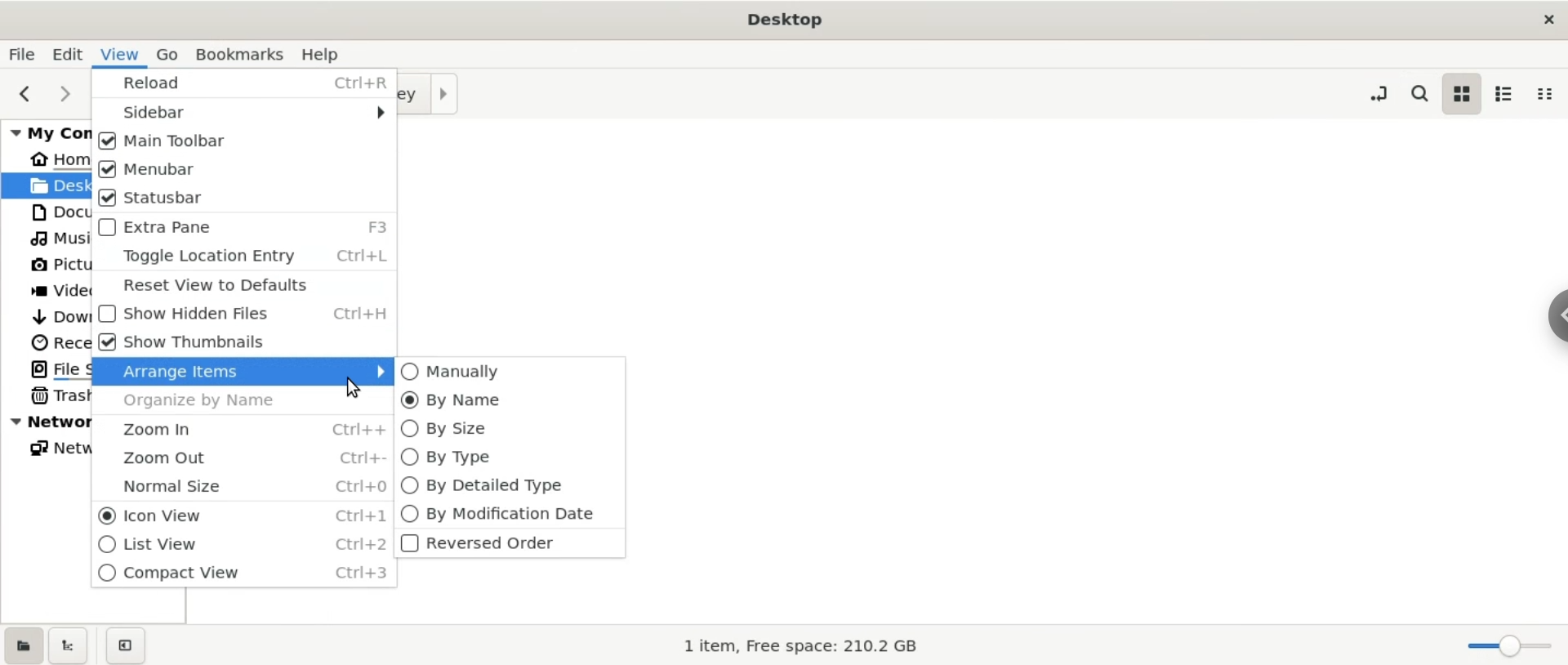 The height and width of the screenshot is (665, 1568). Describe the element at coordinates (356, 386) in the screenshot. I see `cursor` at that location.